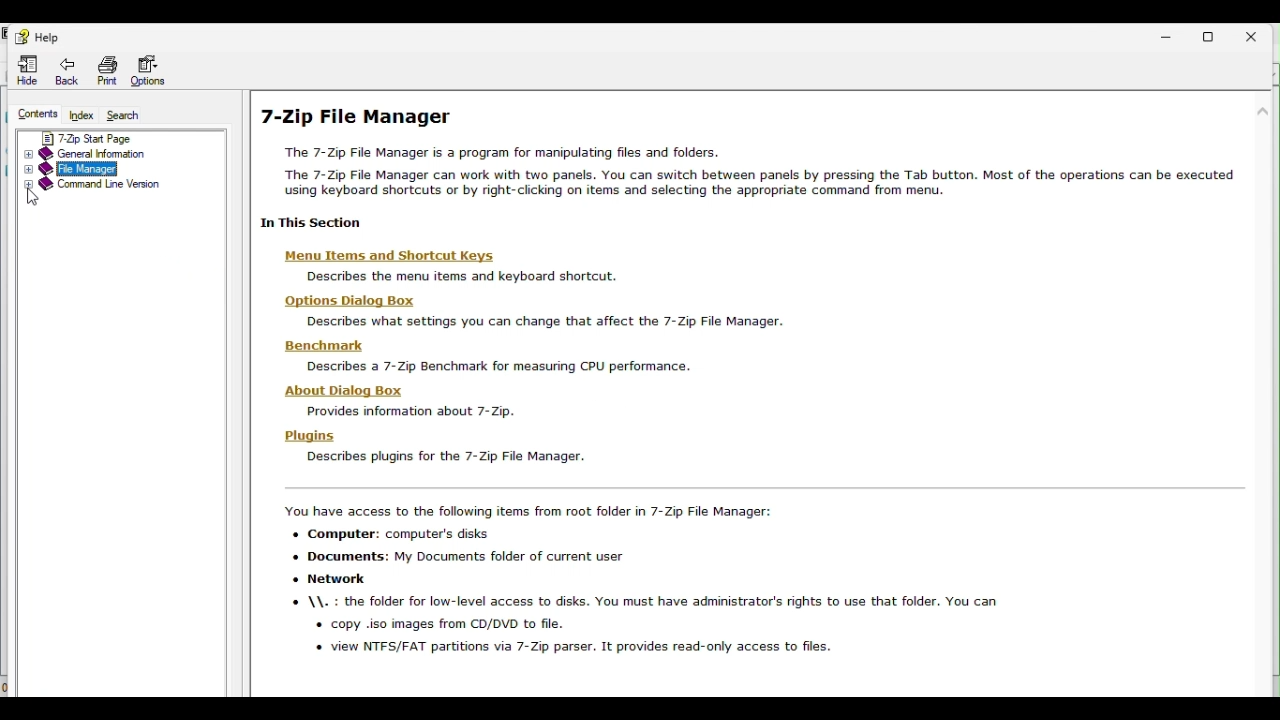 The image size is (1280, 720). Describe the element at coordinates (115, 138) in the screenshot. I see `7 zip star page` at that location.